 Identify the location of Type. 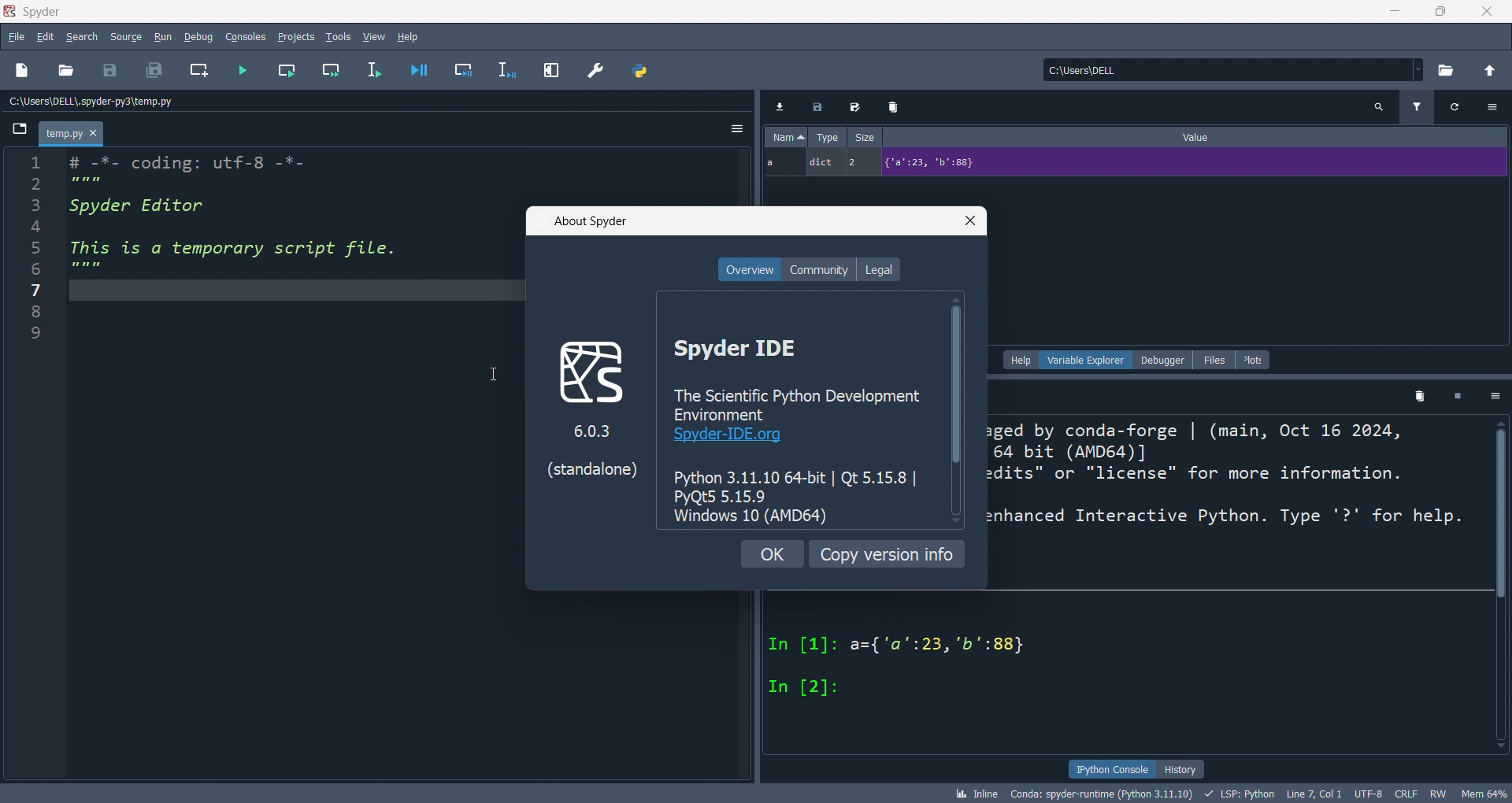
(828, 136).